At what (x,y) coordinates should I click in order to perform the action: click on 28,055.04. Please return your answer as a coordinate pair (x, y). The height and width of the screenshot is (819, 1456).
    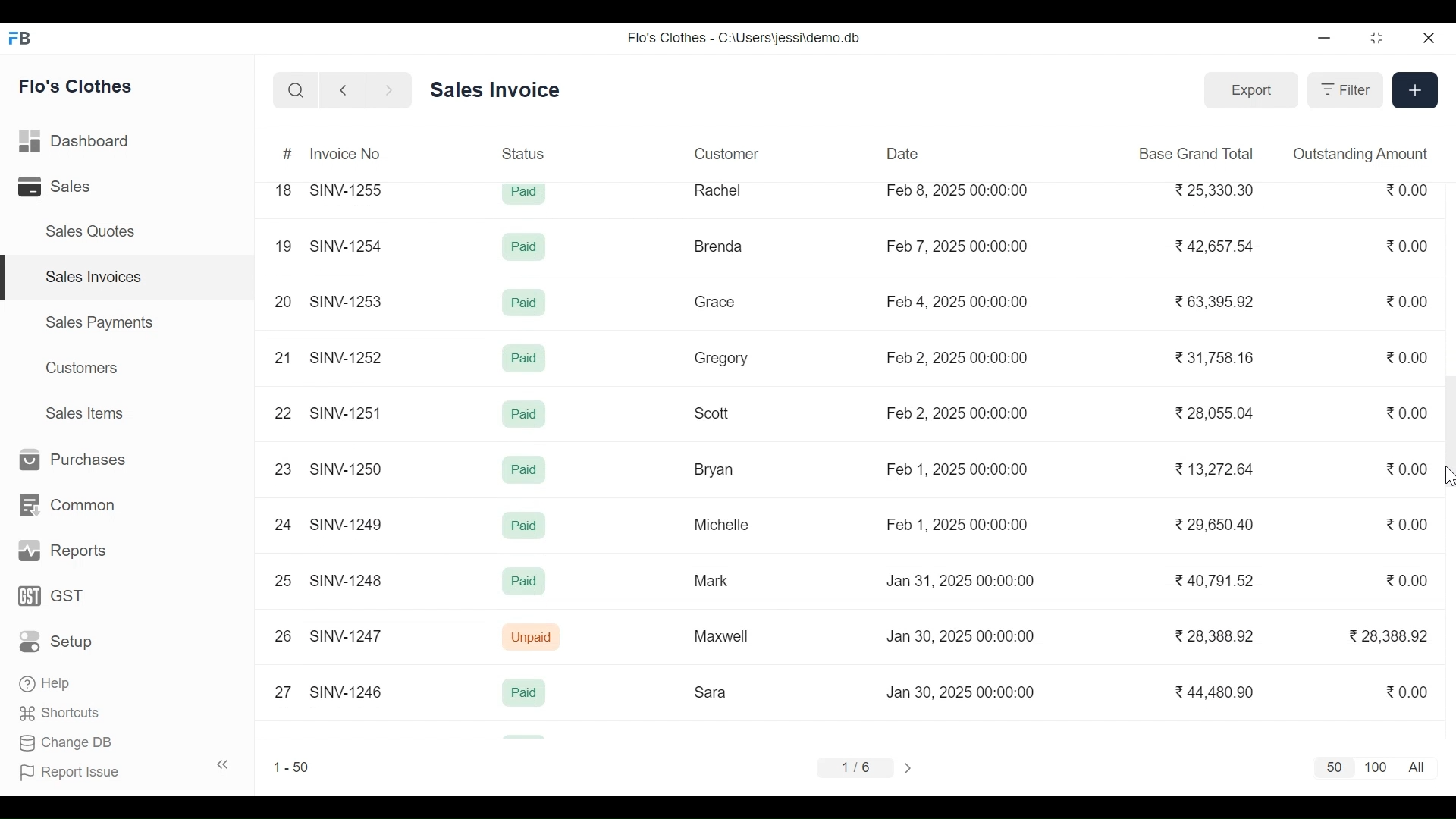
    Looking at the image, I should click on (1213, 412).